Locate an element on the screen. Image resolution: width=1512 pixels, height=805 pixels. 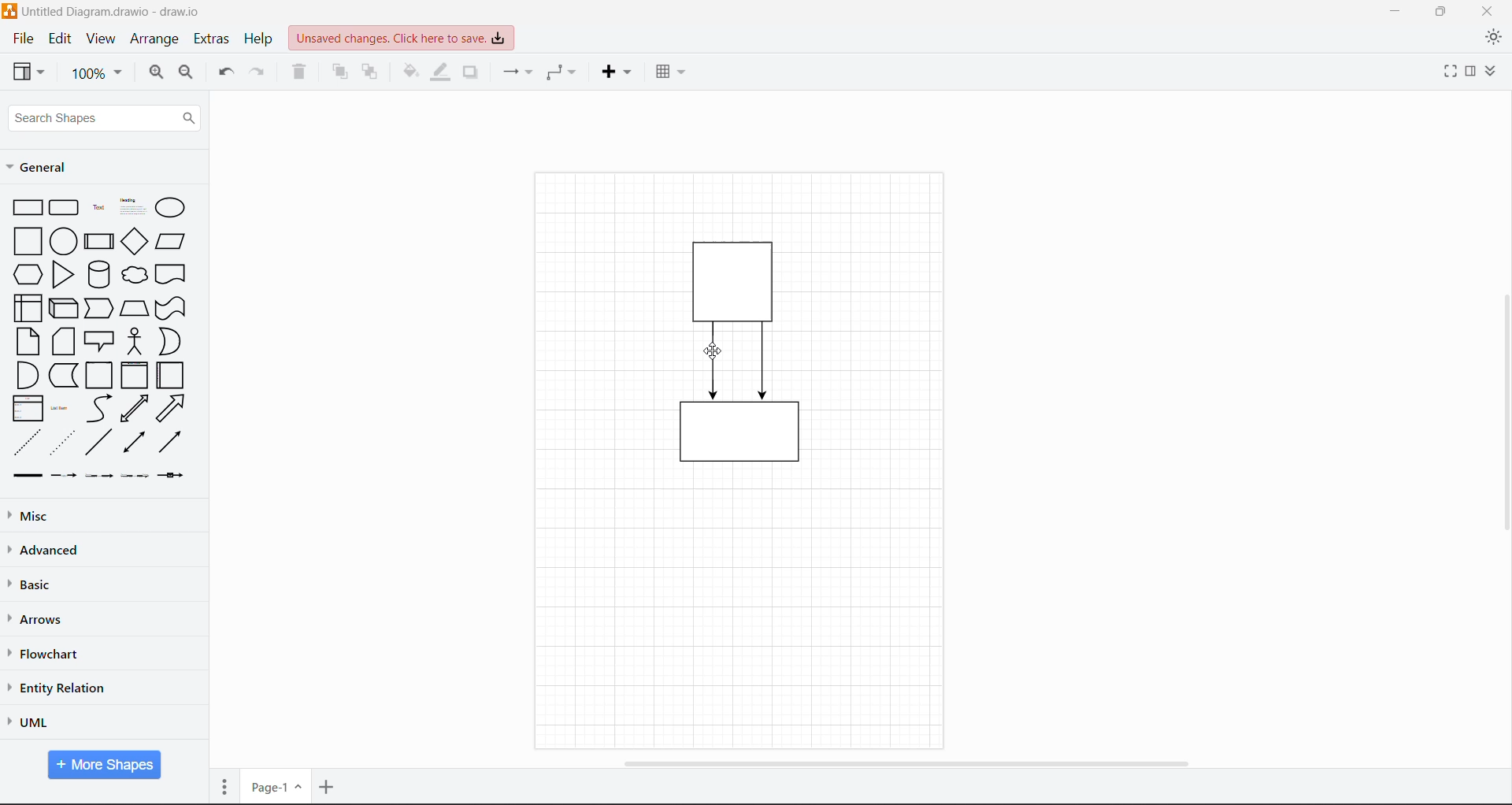
dashed line is located at coordinates (28, 442).